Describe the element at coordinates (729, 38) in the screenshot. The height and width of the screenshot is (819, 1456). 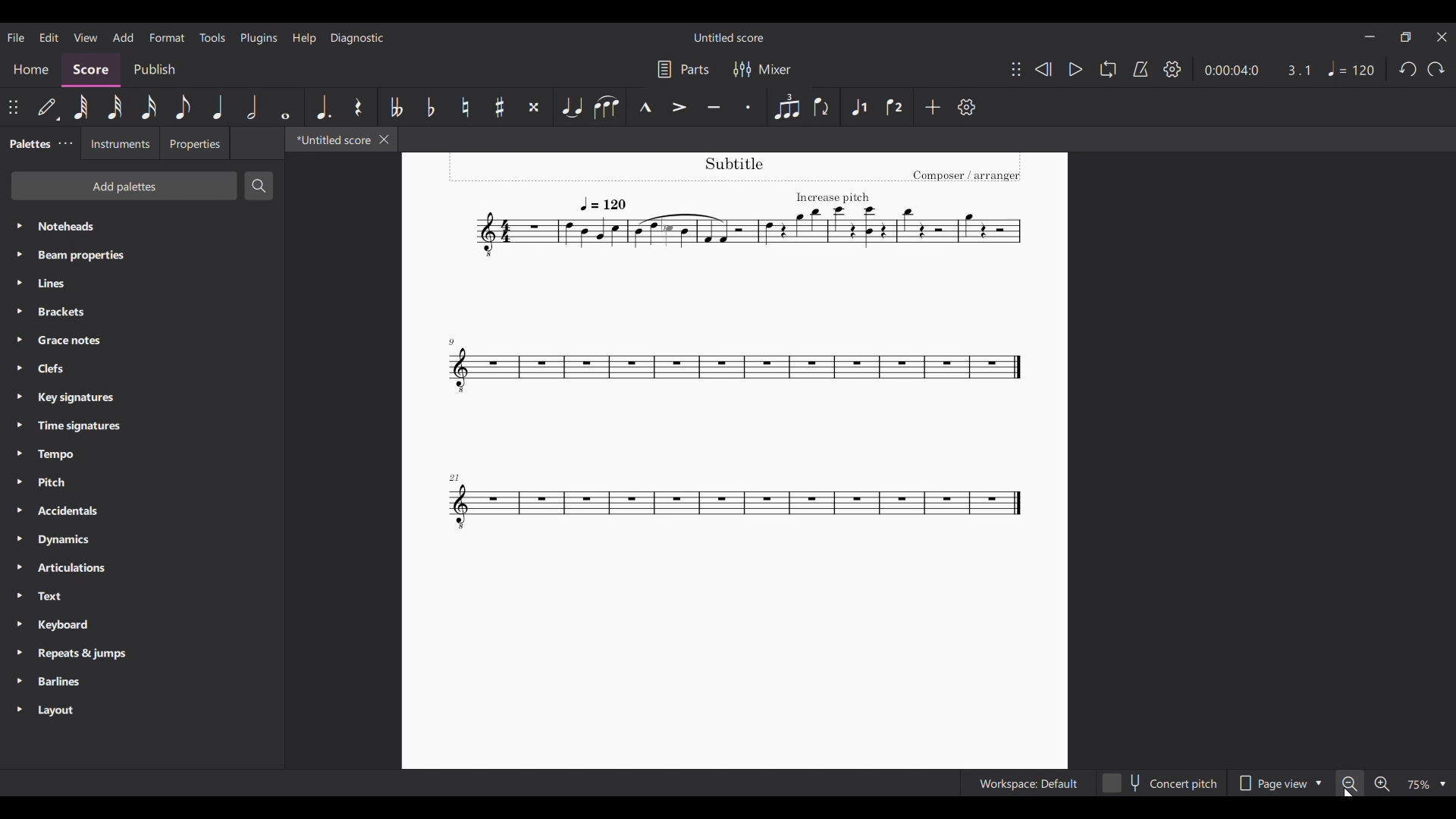
I see `Untitled score` at that location.